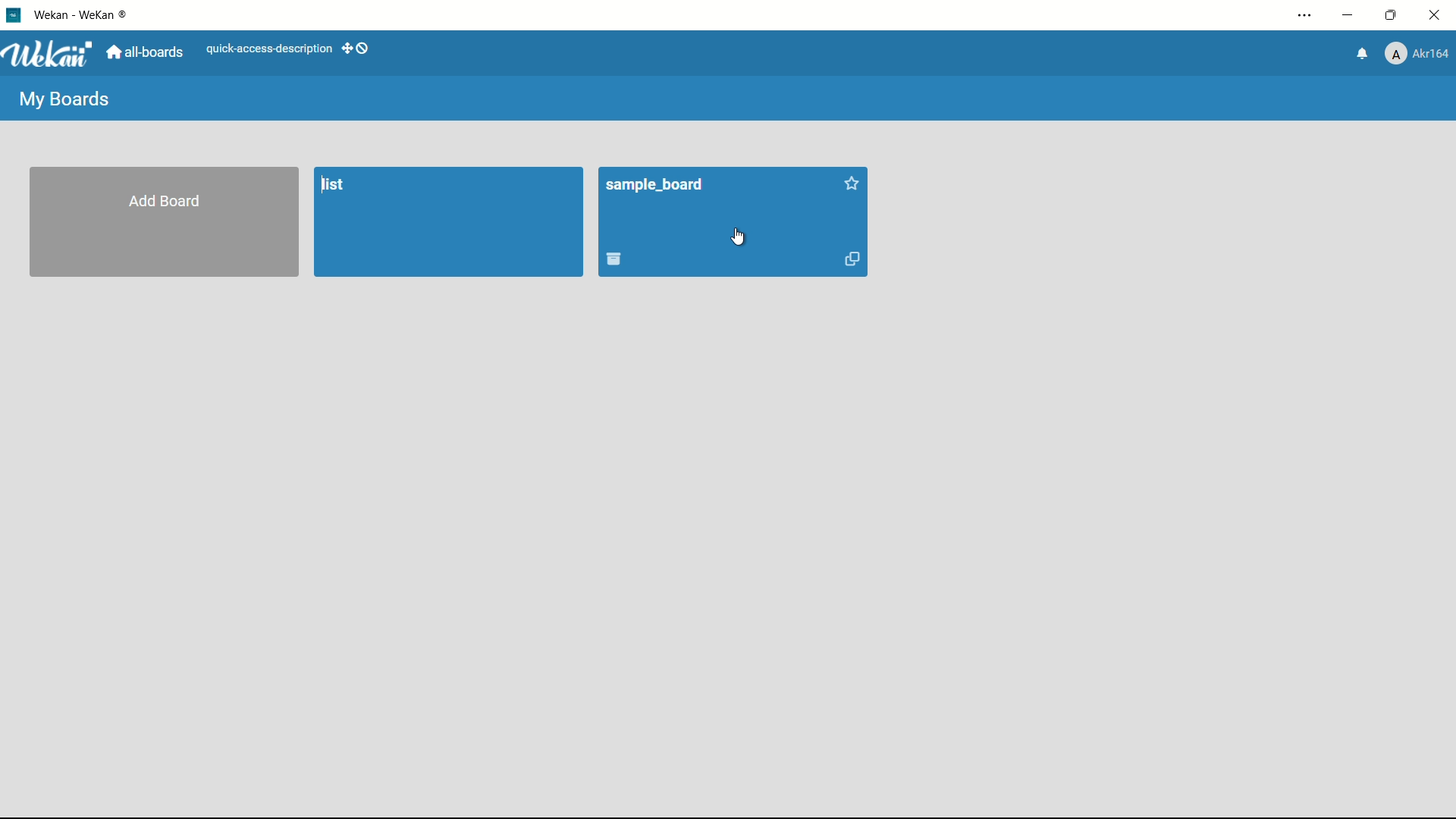  I want to click on board name, so click(334, 184).